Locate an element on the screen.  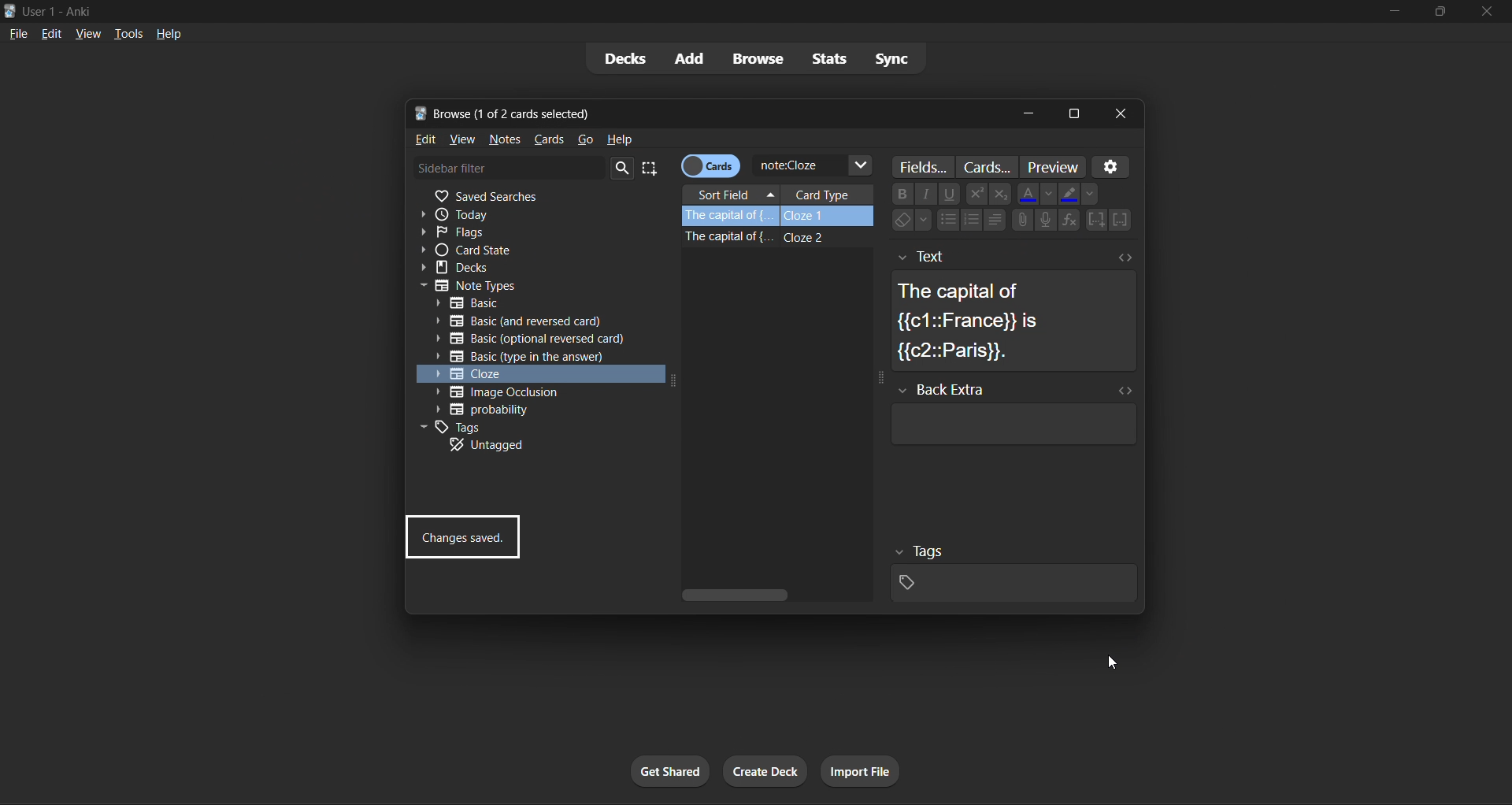
basic (and reversed card) filter is located at coordinates (515, 324).